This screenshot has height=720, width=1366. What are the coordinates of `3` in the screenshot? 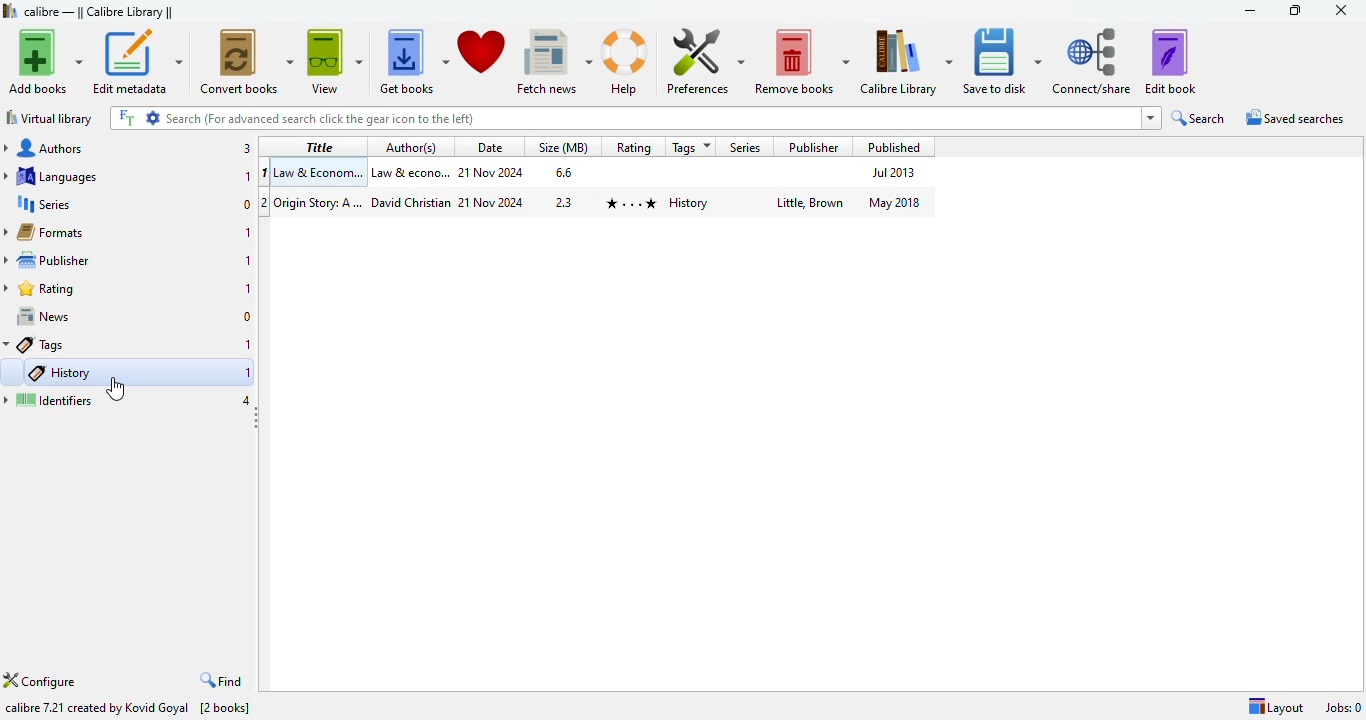 It's located at (247, 149).